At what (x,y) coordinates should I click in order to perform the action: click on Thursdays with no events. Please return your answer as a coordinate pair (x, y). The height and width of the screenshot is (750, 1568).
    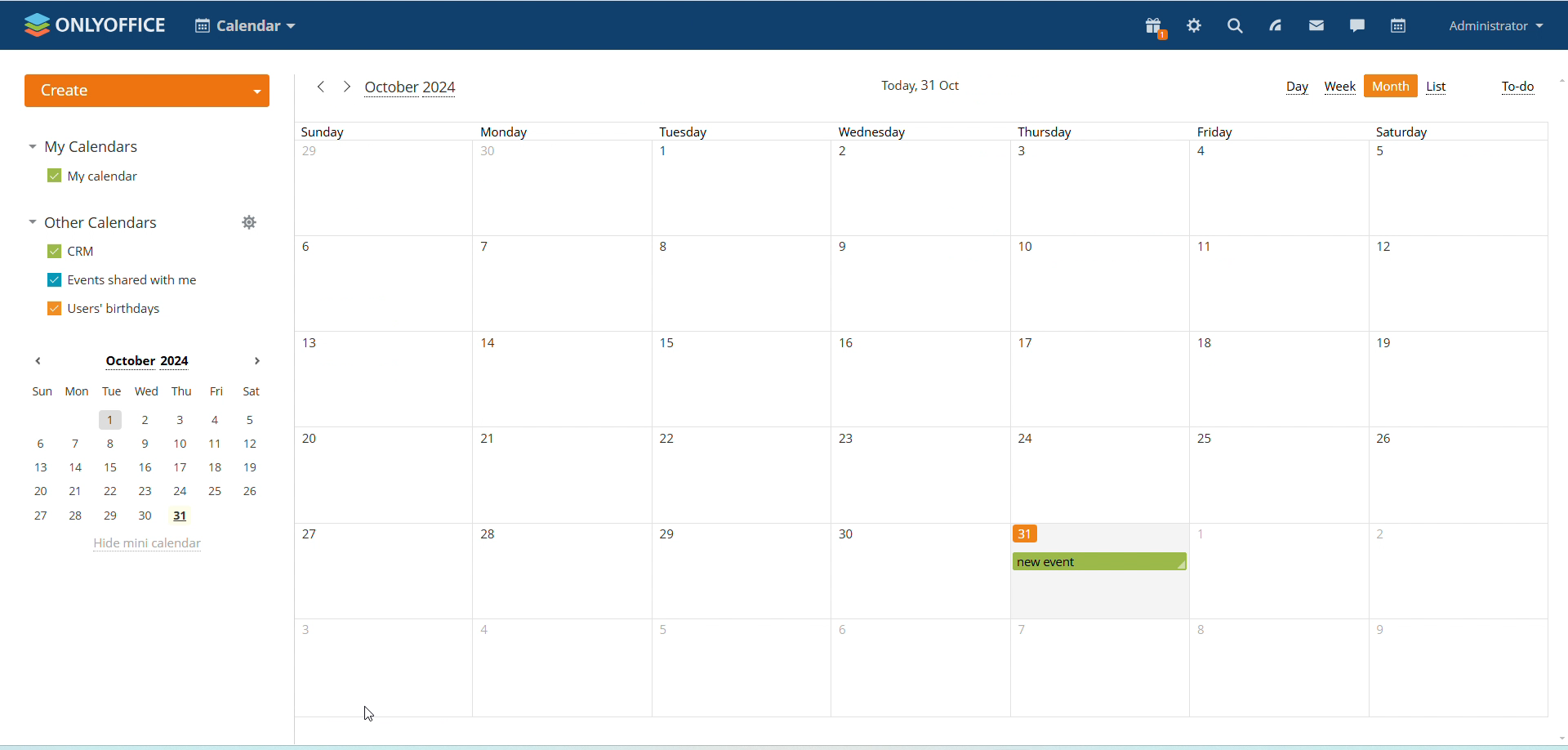
    Looking at the image, I should click on (1098, 323).